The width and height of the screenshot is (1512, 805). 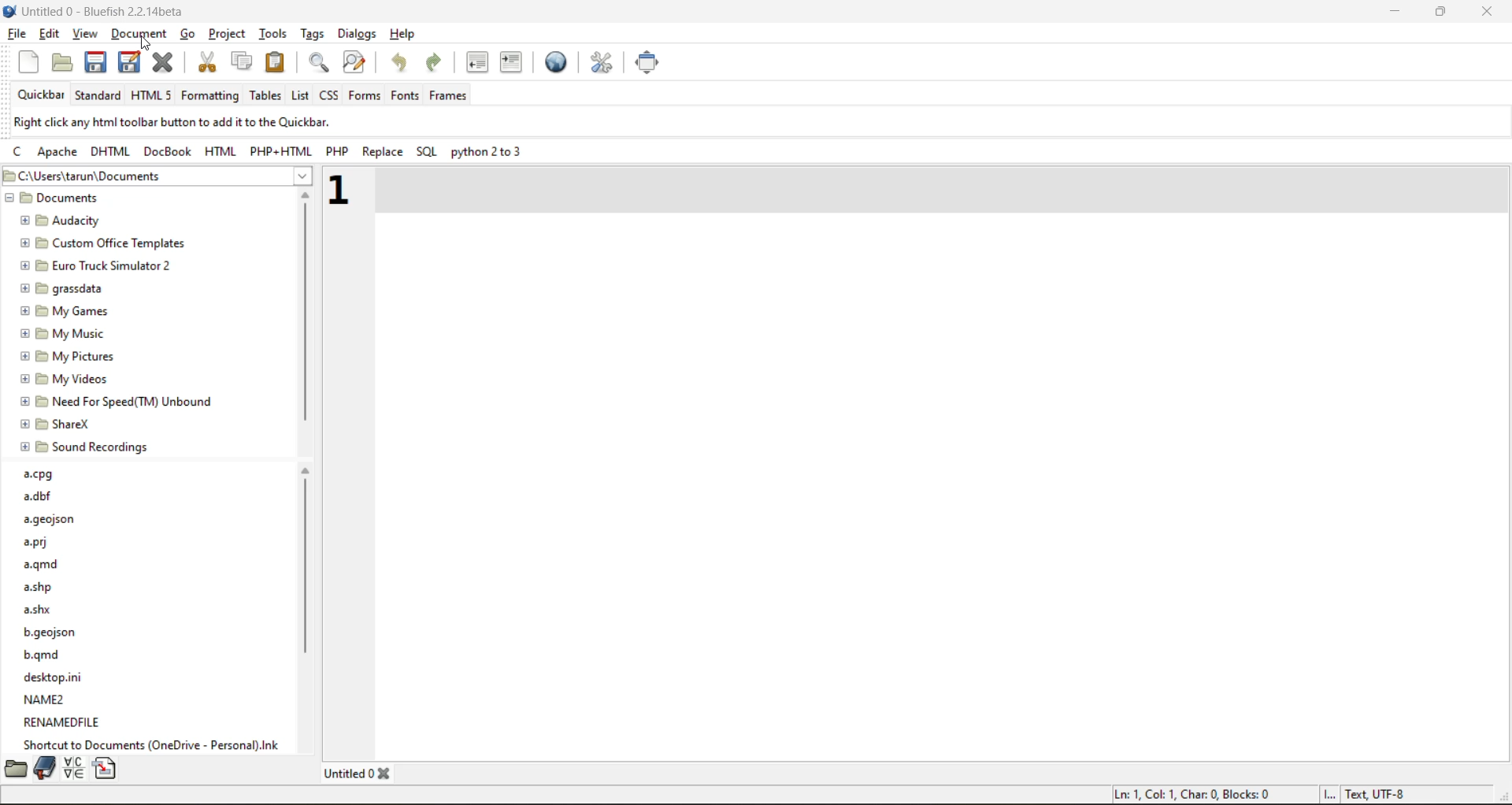 What do you see at coordinates (41, 587) in the screenshot?
I see `a.shp` at bounding box center [41, 587].